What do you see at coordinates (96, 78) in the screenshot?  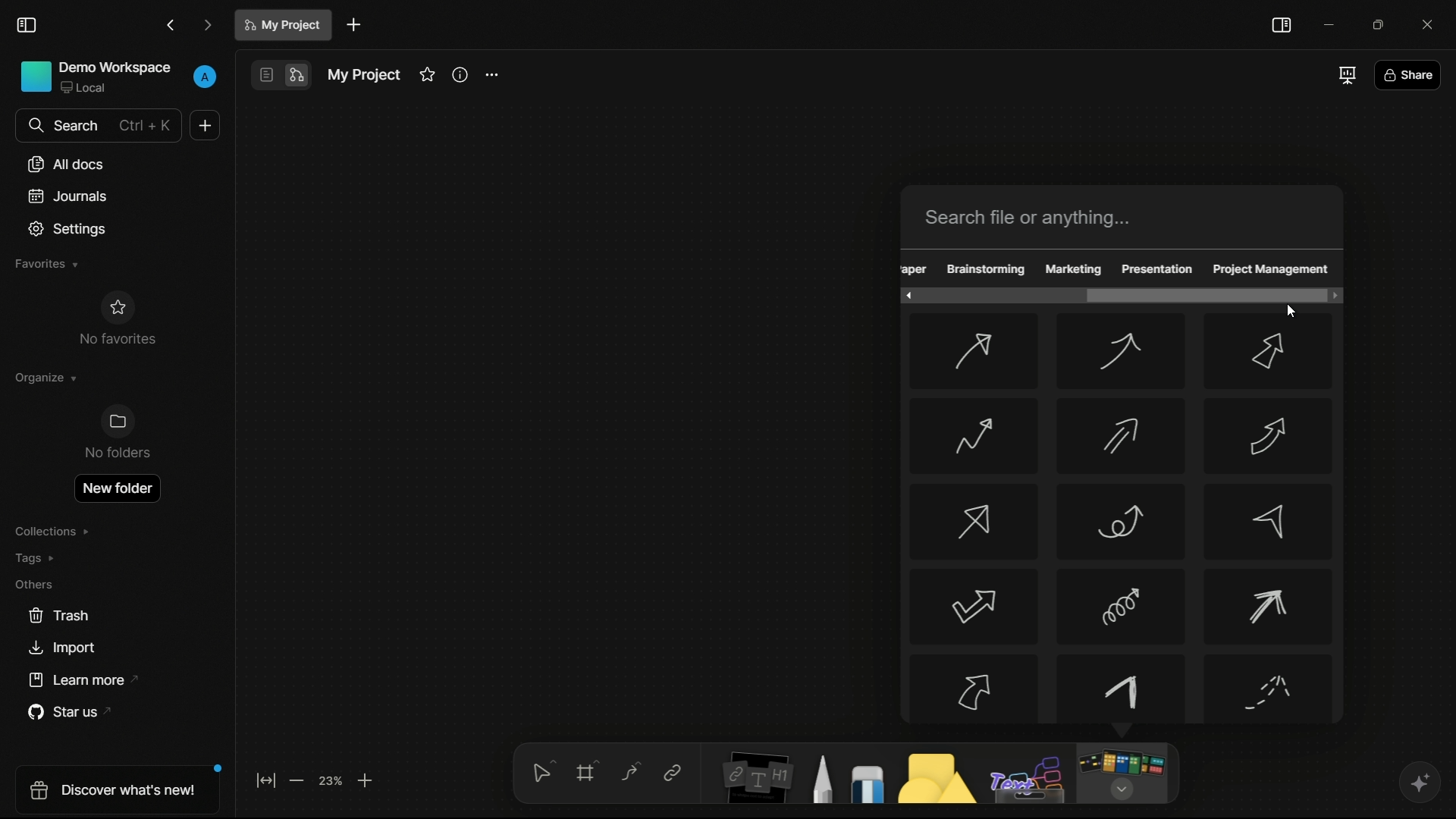 I see `demo workspace` at bounding box center [96, 78].